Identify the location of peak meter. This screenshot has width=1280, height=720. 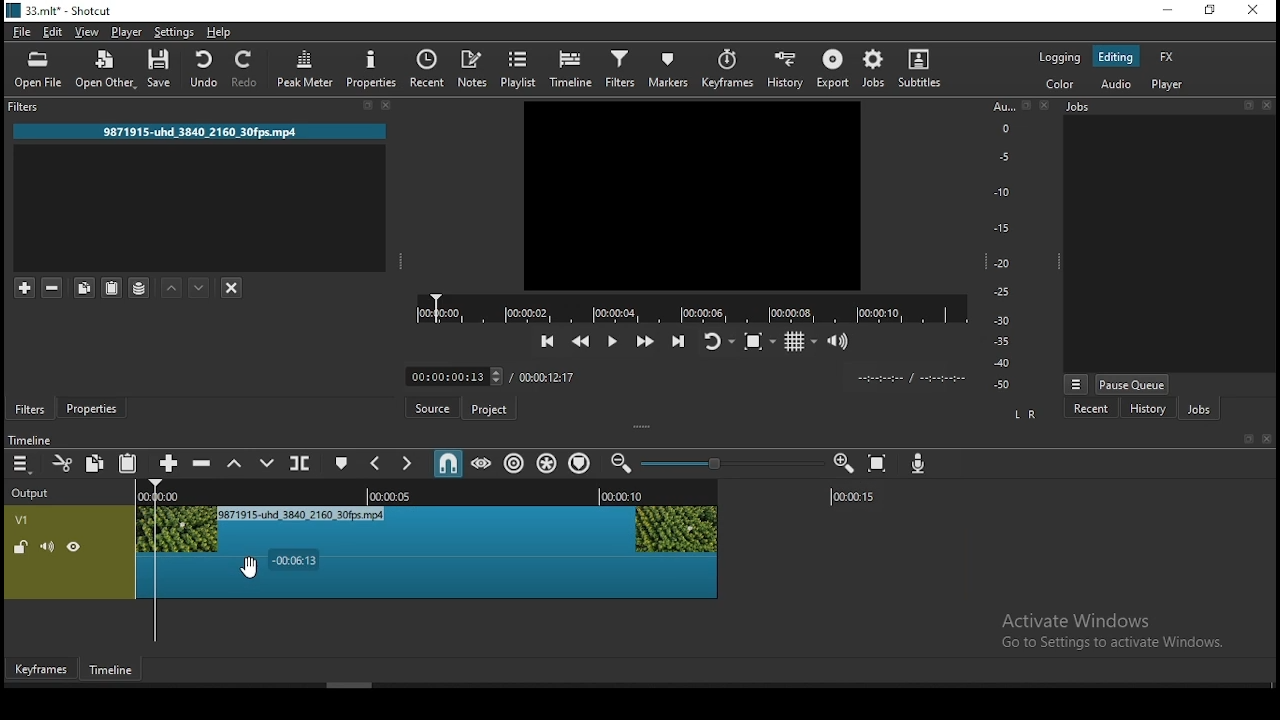
(305, 70).